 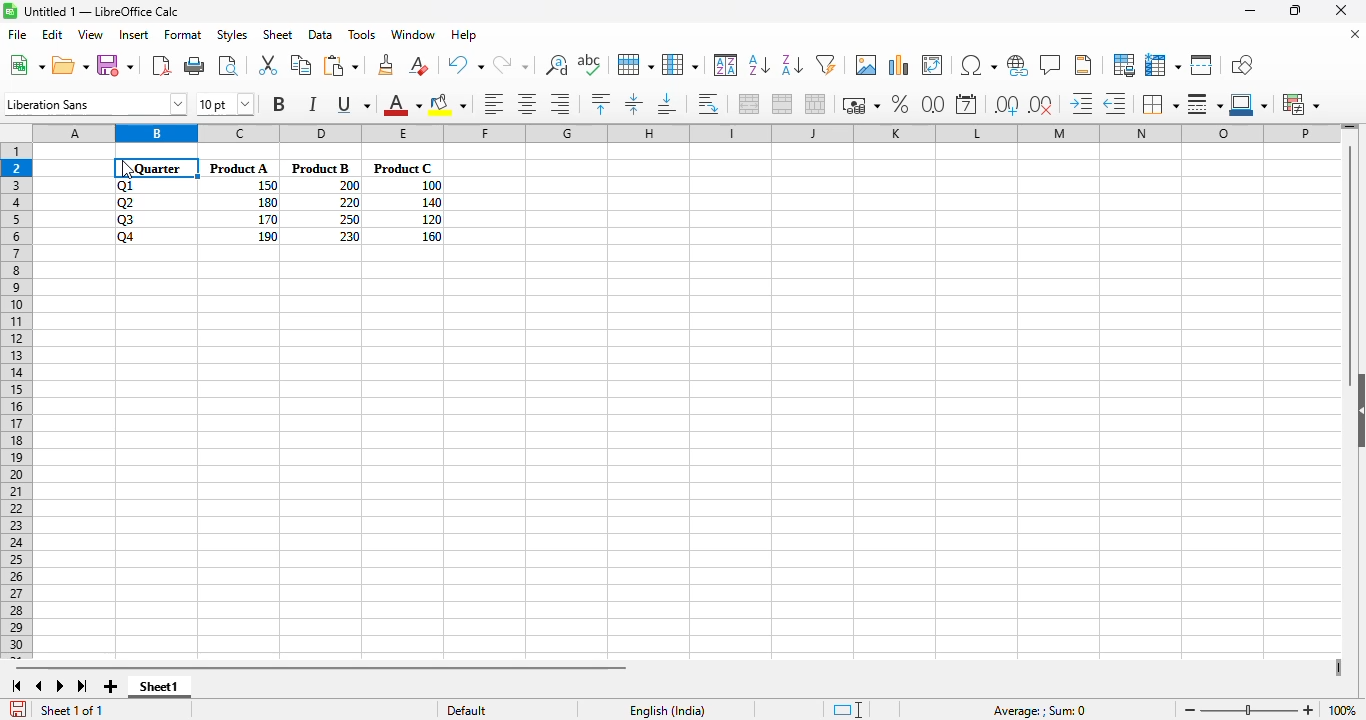 I want to click on edit, so click(x=53, y=34).